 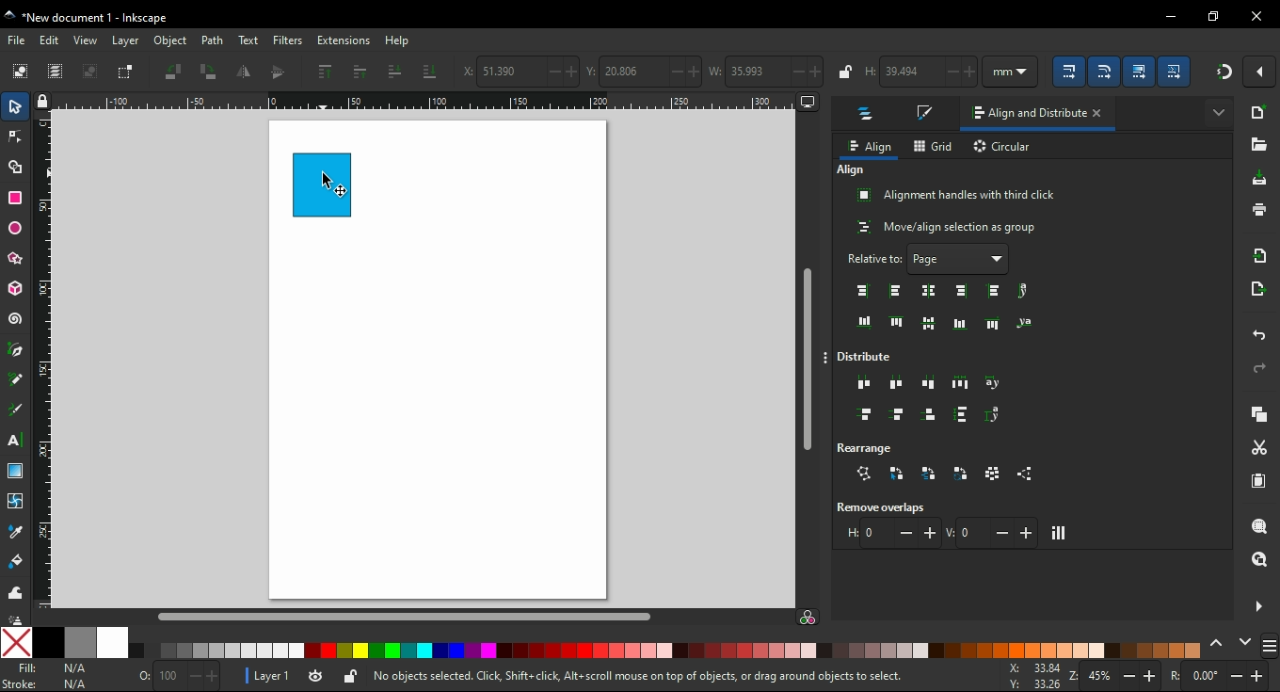 I want to click on vertical coordinate of selection, so click(x=642, y=70).